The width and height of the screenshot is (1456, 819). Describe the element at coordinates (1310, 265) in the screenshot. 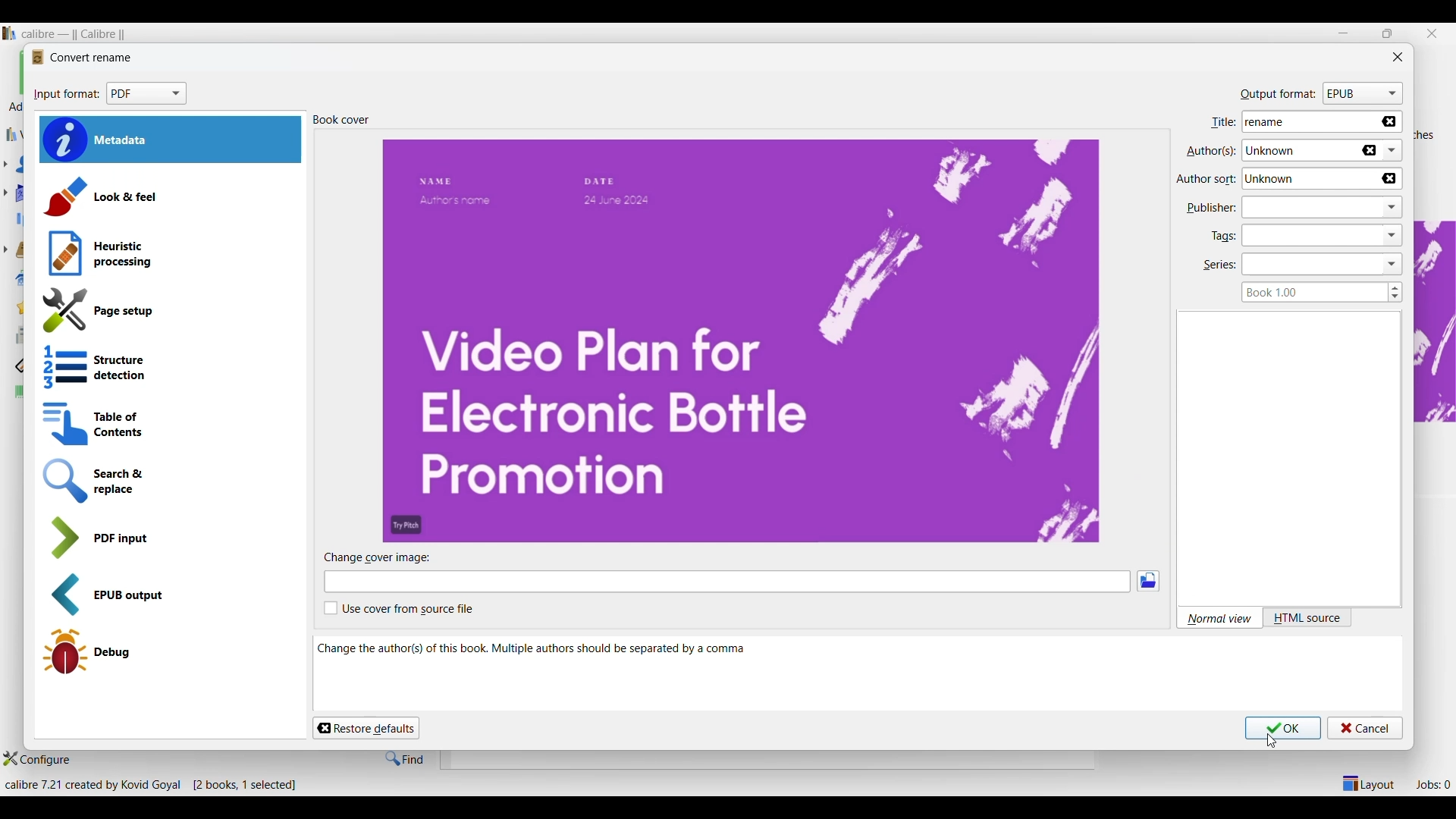

I see `Type in series` at that location.